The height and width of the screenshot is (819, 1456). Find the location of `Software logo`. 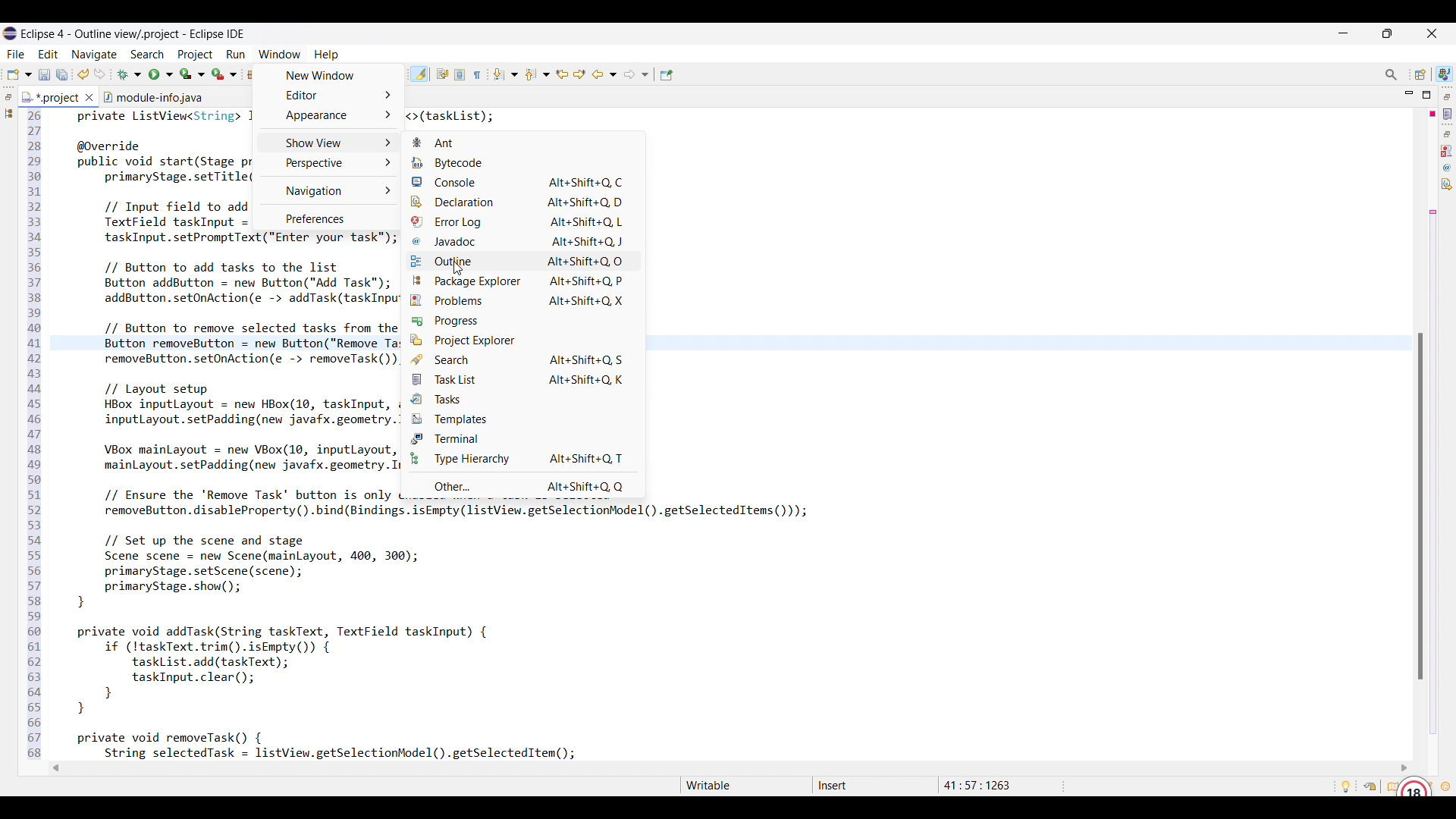

Software logo is located at coordinates (10, 33).